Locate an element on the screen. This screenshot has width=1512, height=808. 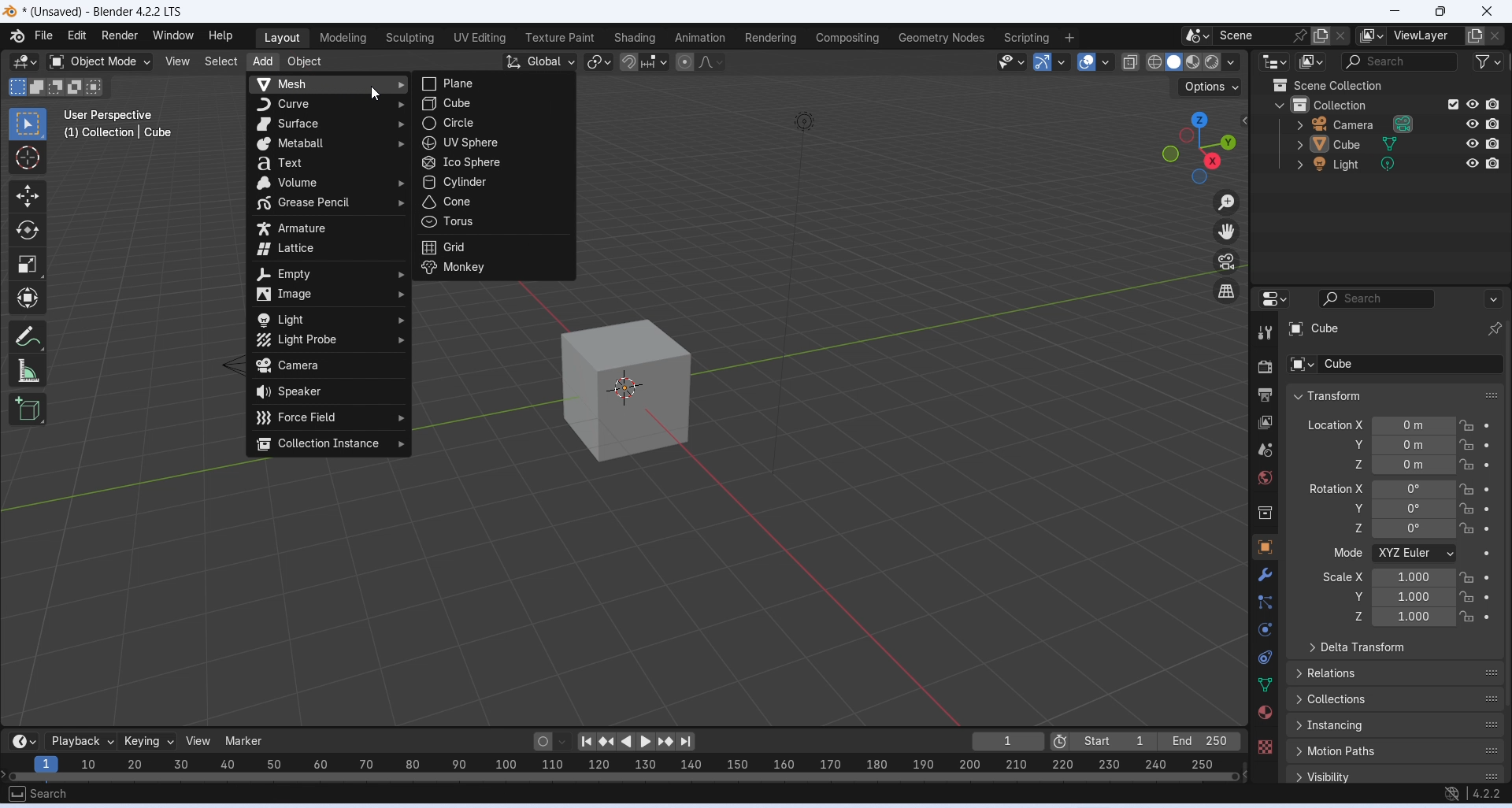
text is located at coordinates (328, 163).